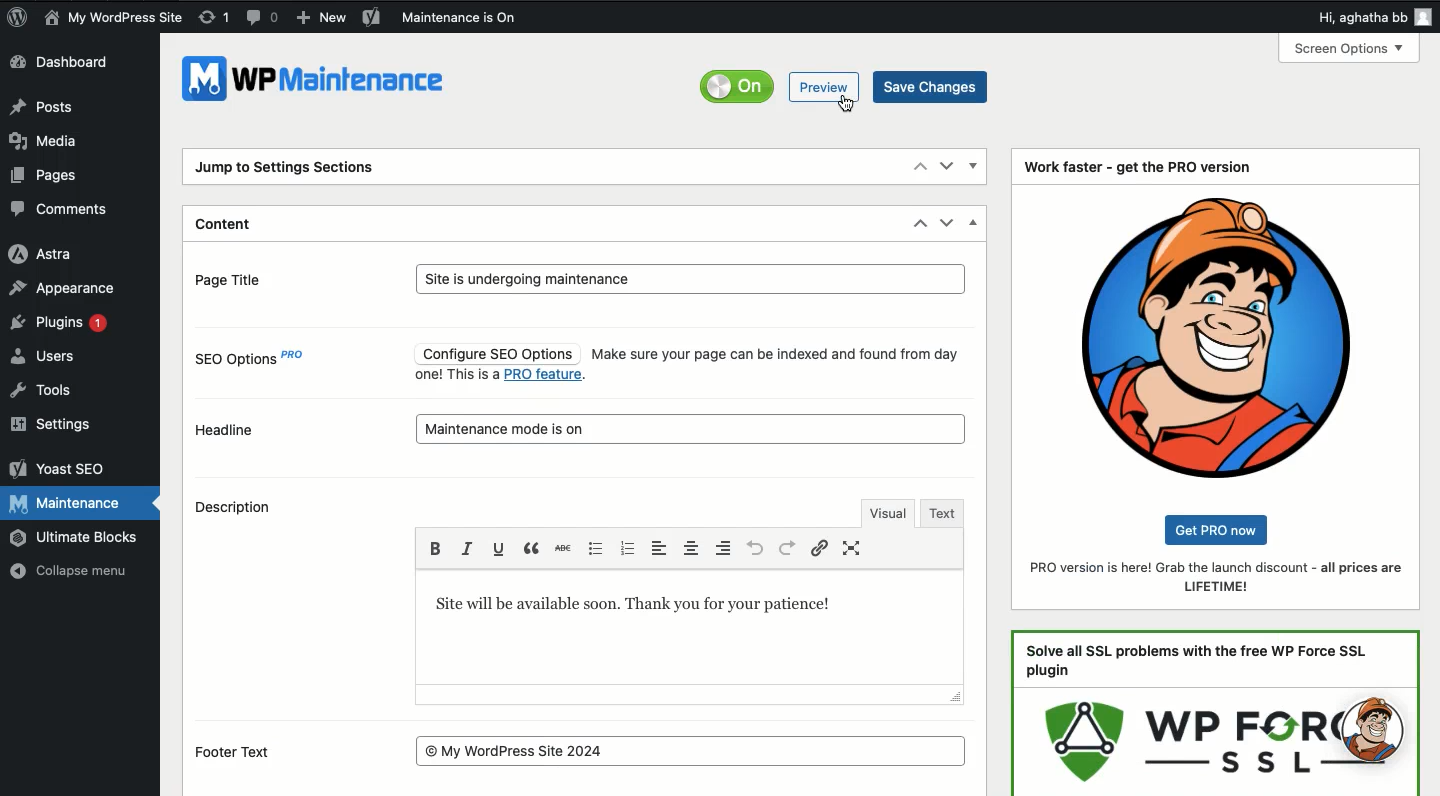 This screenshot has height=796, width=1440. What do you see at coordinates (63, 64) in the screenshot?
I see `Dashboard` at bounding box center [63, 64].